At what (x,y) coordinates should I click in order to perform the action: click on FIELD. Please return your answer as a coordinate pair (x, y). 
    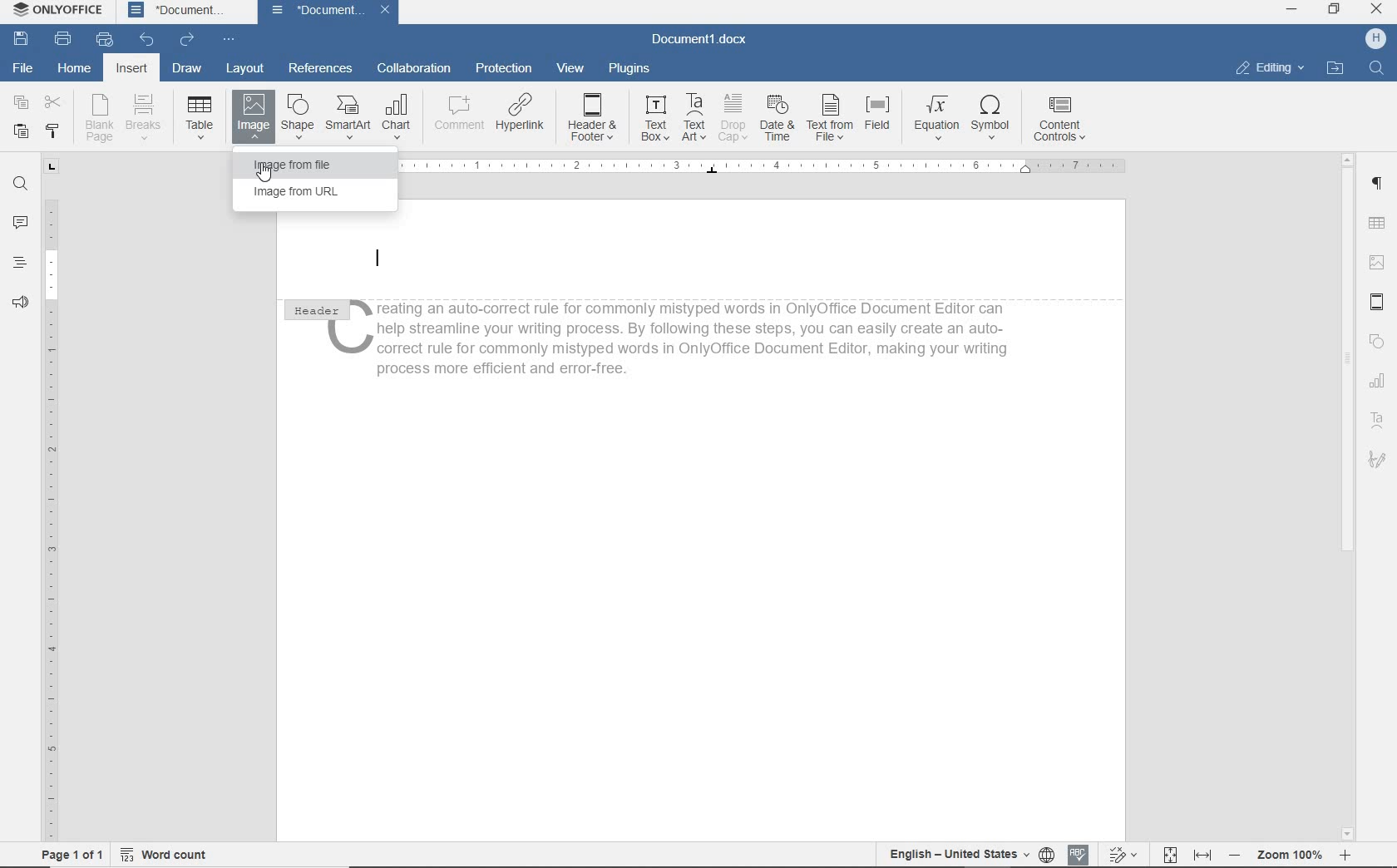
    Looking at the image, I should click on (877, 121).